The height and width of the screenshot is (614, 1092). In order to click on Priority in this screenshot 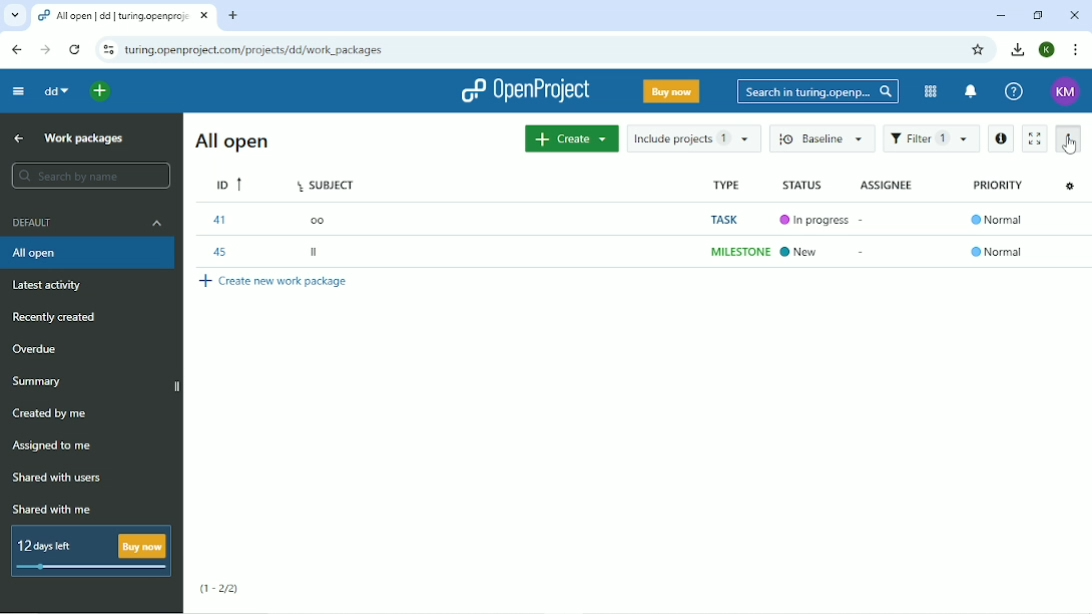, I will do `click(998, 185)`.